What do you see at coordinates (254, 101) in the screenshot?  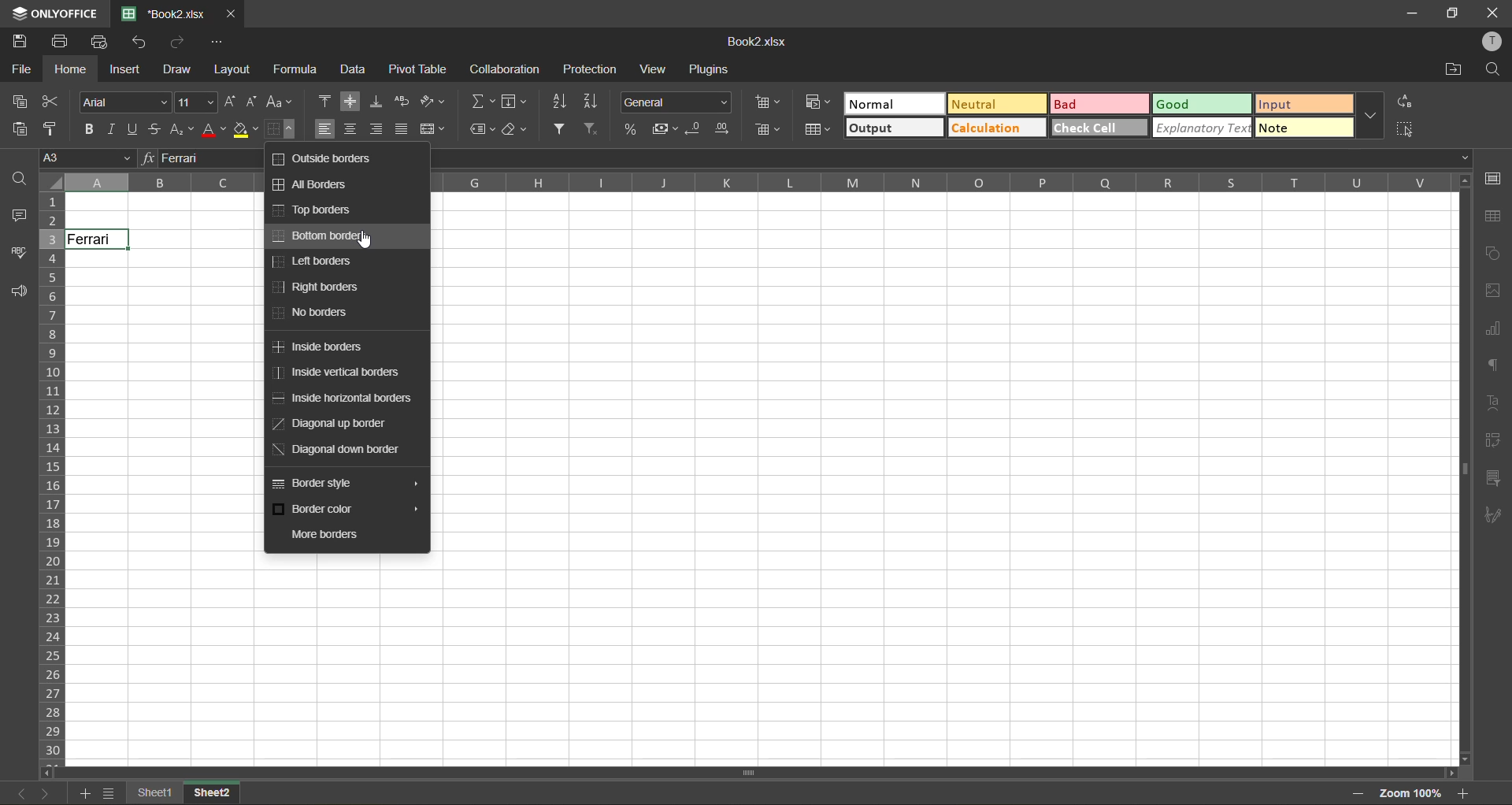 I see `decrement size` at bounding box center [254, 101].